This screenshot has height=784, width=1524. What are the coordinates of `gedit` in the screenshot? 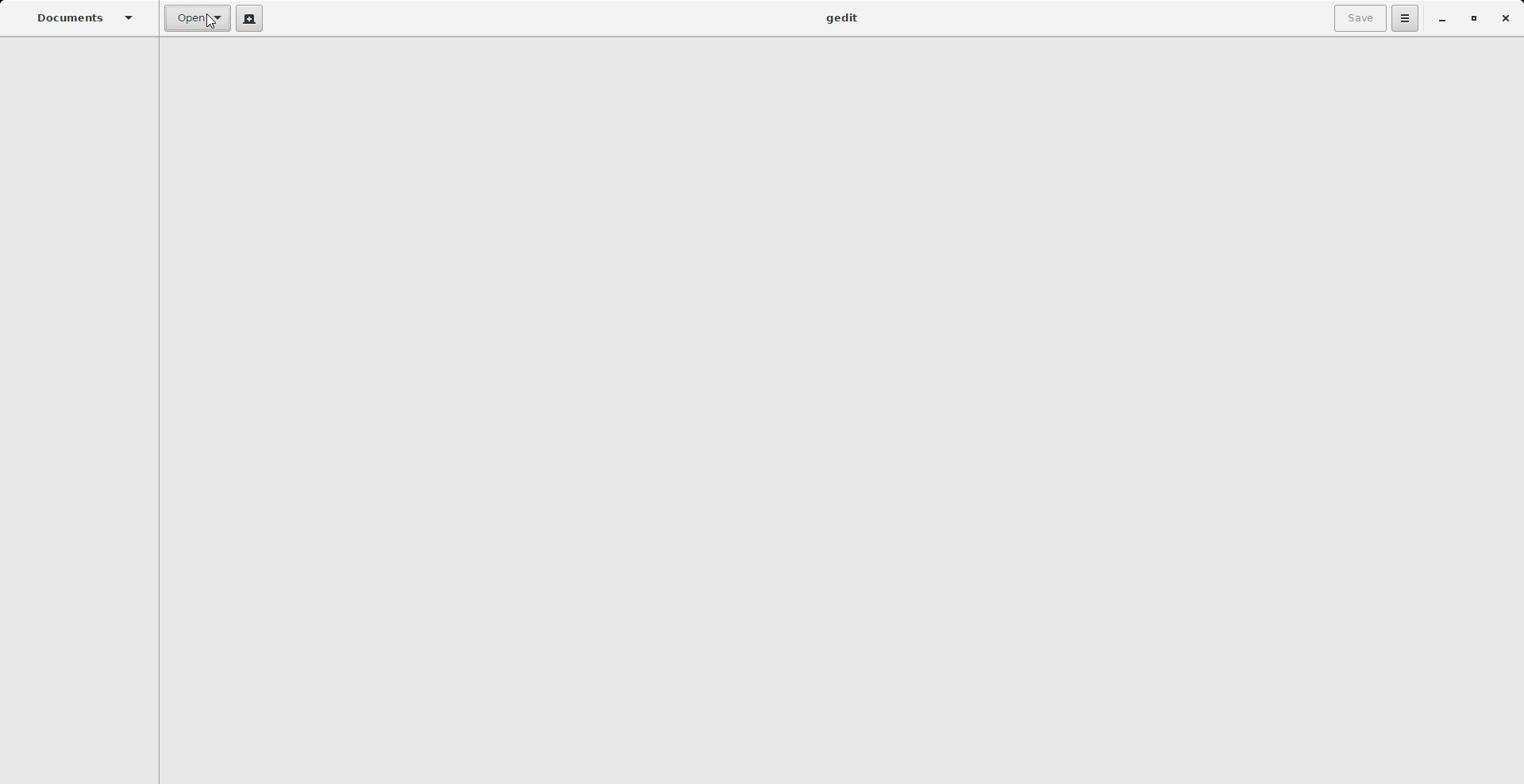 It's located at (837, 19).